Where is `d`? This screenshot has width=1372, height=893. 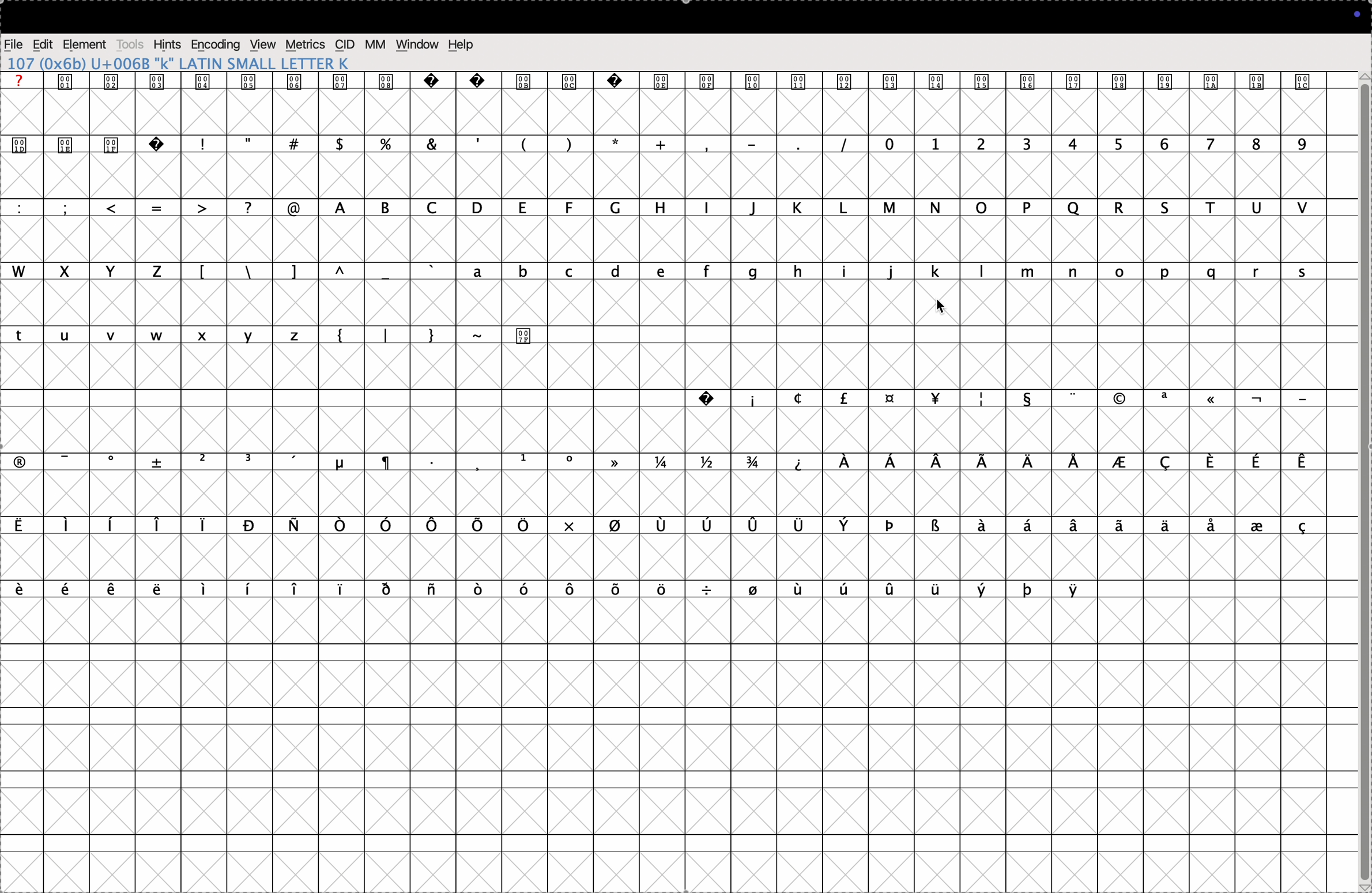 d is located at coordinates (479, 209).